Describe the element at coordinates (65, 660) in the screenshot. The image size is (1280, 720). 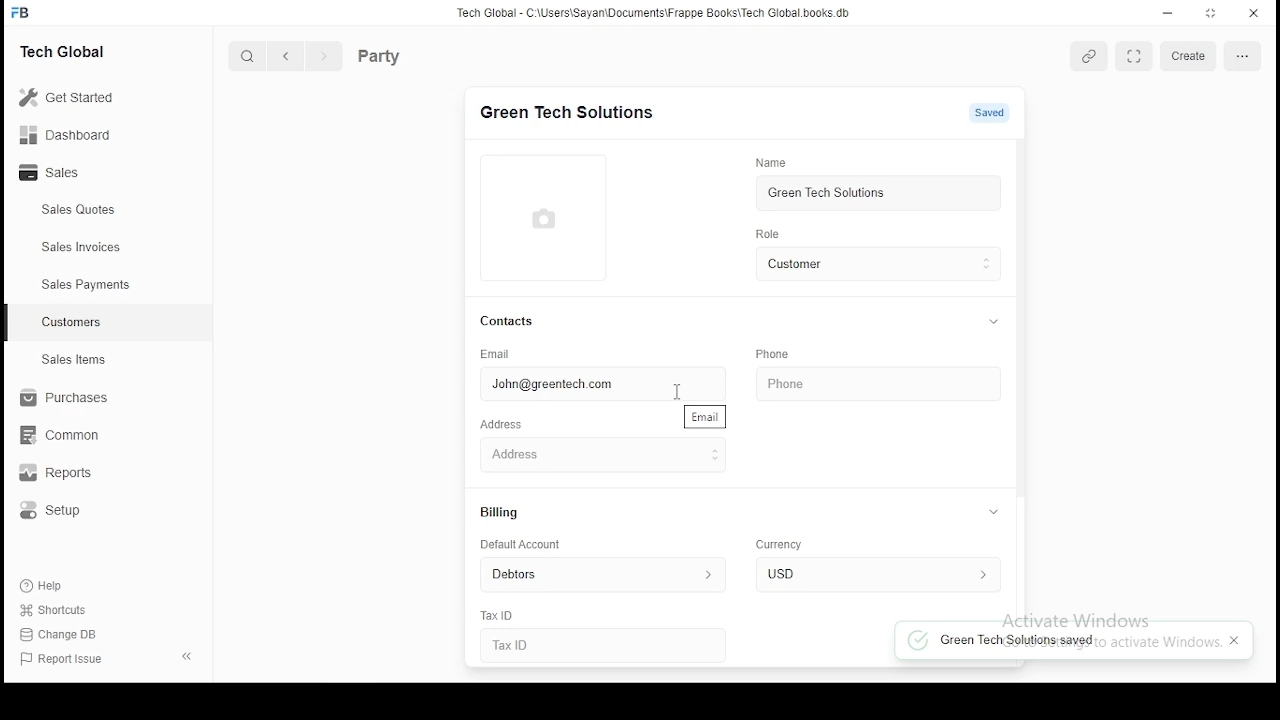
I see `Report issue` at that location.